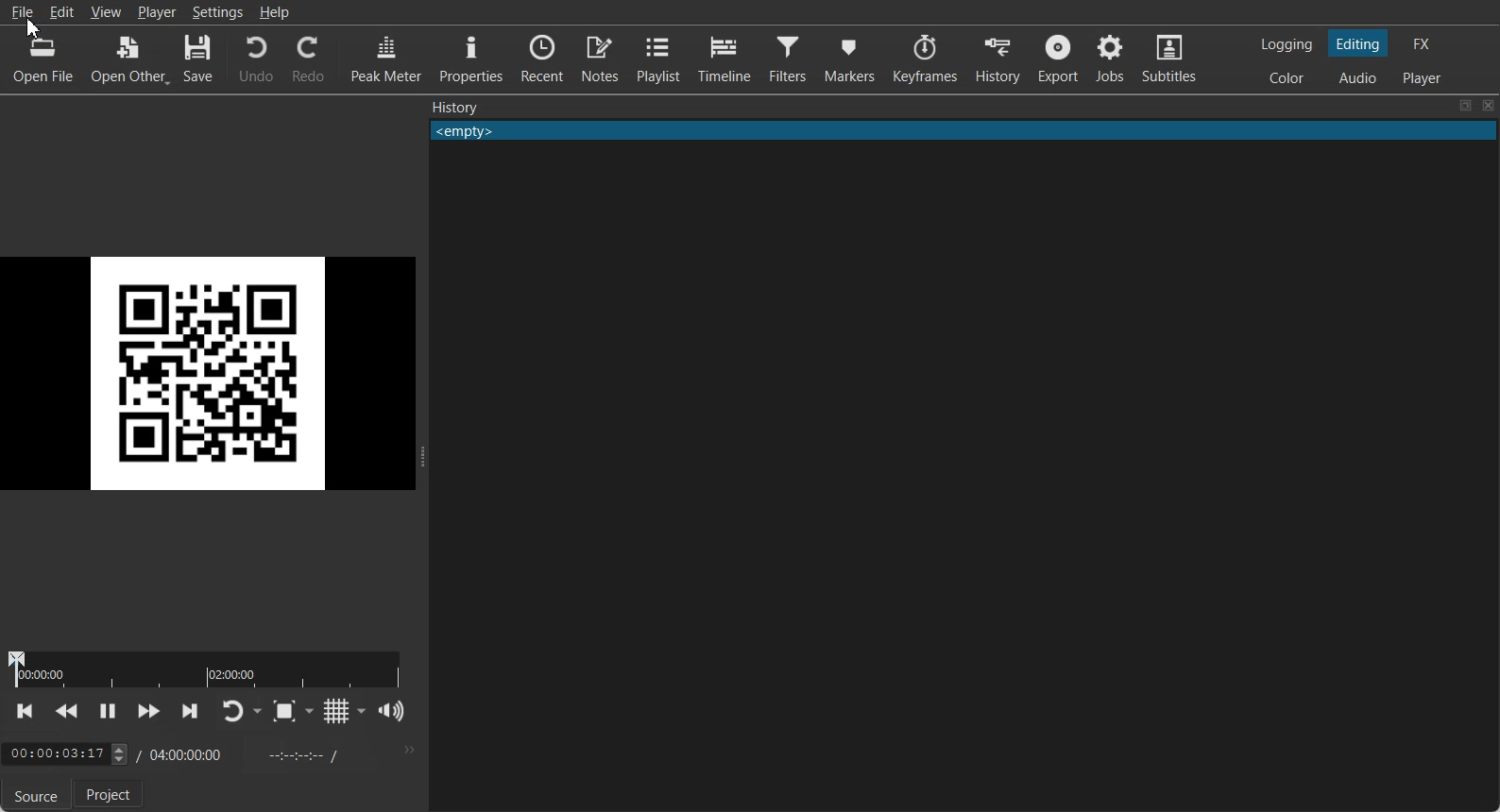 The height and width of the screenshot is (812, 1500). What do you see at coordinates (67, 712) in the screenshot?
I see `Play Quickly Backward` at bounding box center [67, 712].